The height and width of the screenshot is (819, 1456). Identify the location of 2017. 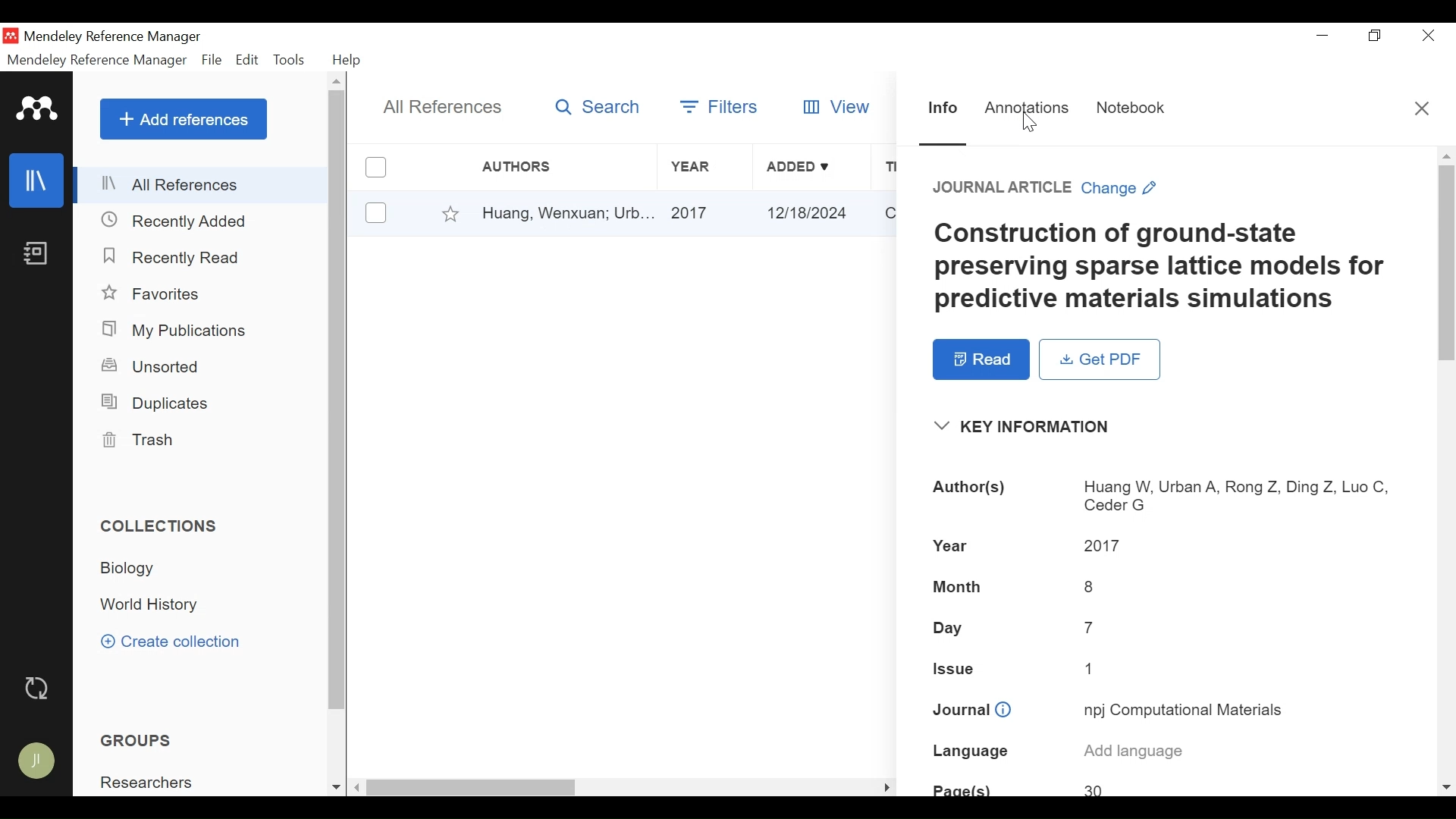
(708, 213).